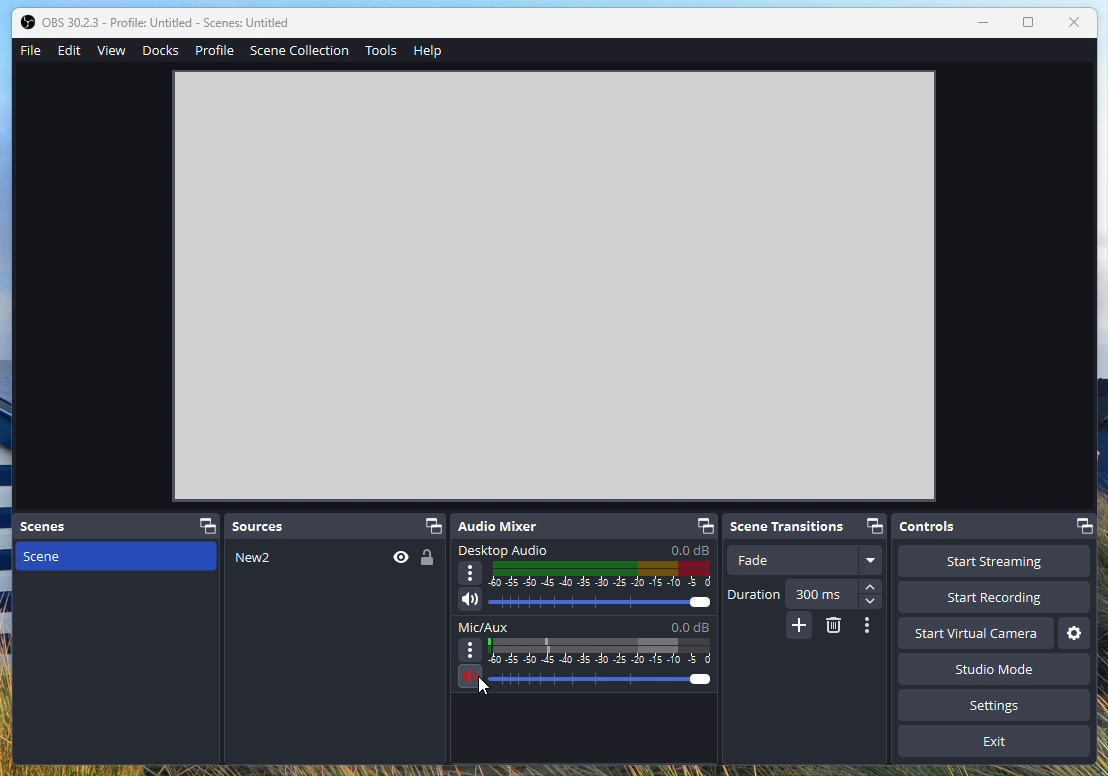 Image resolution: width=1108 pixels, height=776 pixels. I want to click on Duration, so click(807, 595).